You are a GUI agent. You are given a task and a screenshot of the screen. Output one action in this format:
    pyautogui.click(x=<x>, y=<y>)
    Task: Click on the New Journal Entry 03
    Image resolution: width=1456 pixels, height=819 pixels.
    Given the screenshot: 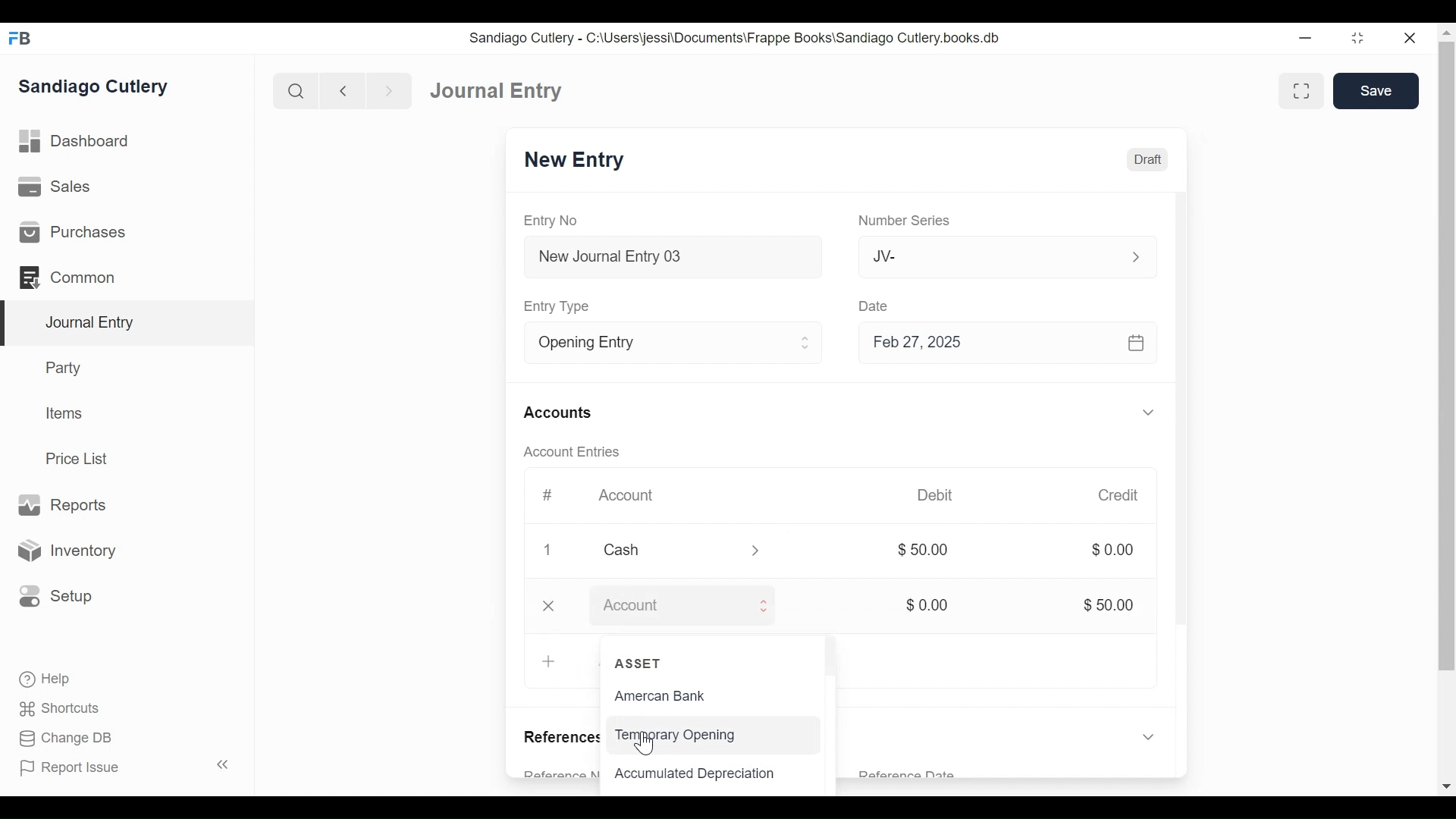 What is the action you would take?
    pyautogui.click(x=671, y=257)
    